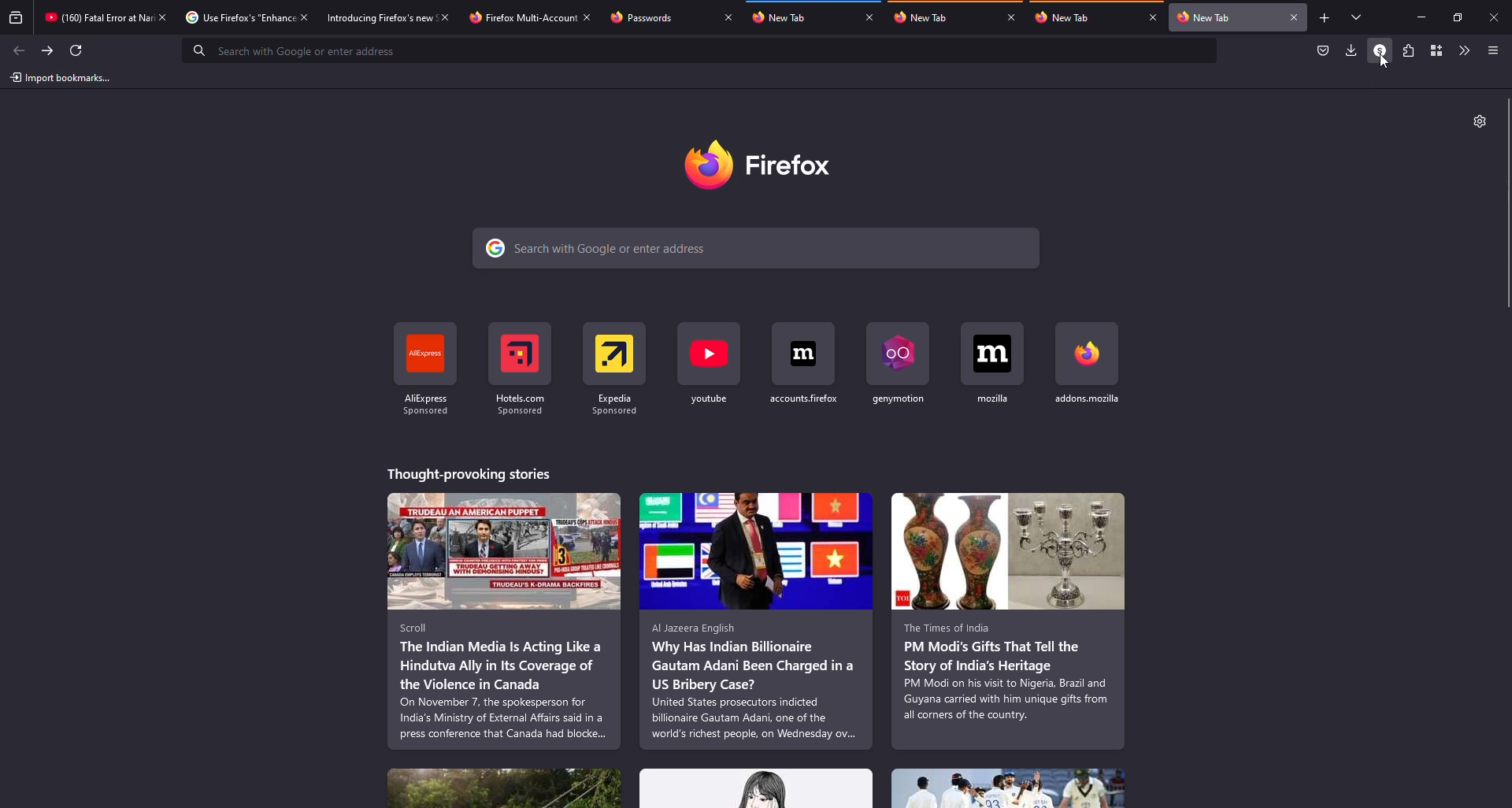  What do you see at coordinates (1384, 64) in the screenshot?
I see `cursor` at bounding box center [1384, 64].